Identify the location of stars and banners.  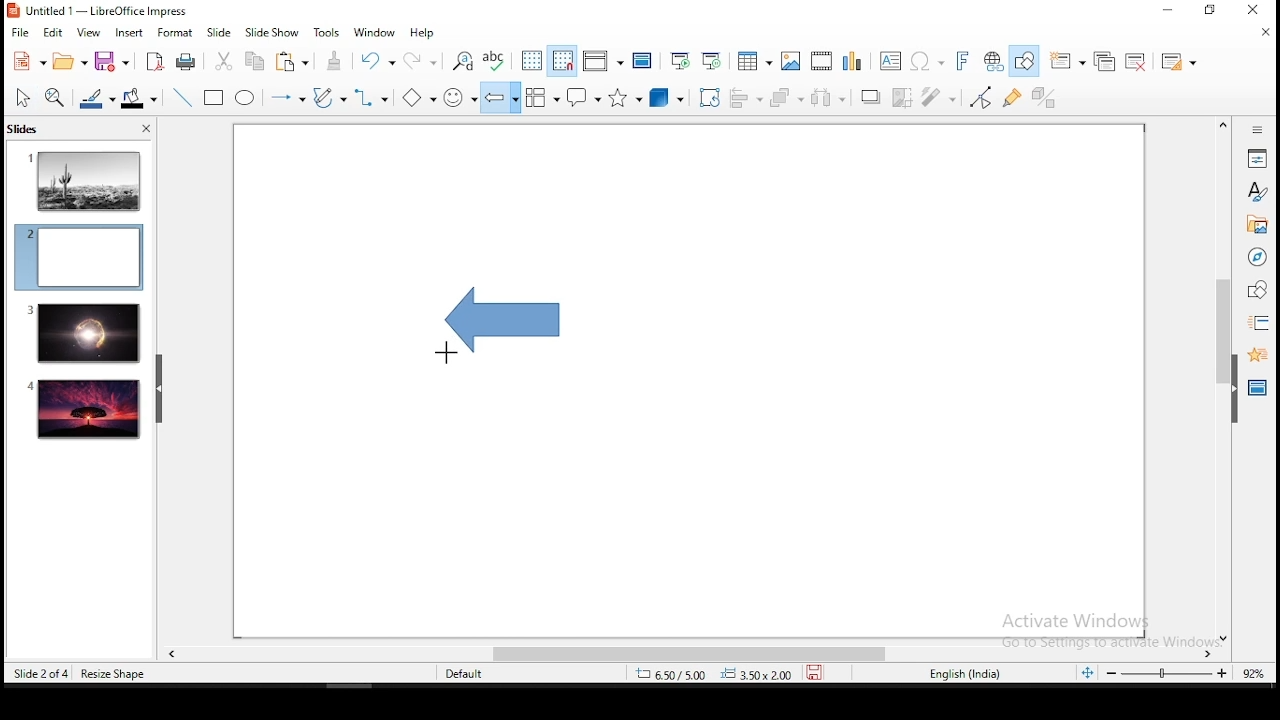
(624, 97).